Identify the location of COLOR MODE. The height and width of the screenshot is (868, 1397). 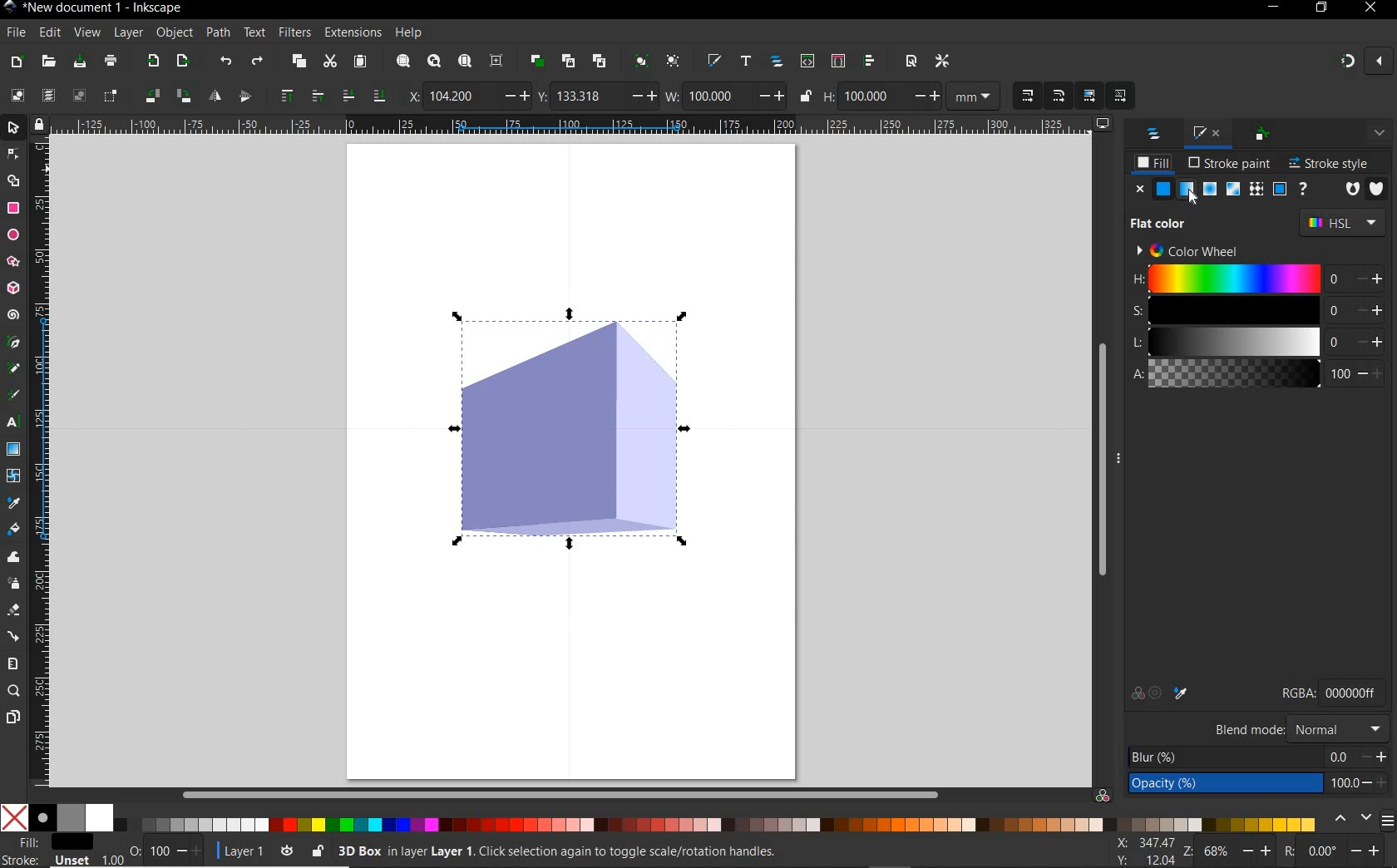
(659, 818).